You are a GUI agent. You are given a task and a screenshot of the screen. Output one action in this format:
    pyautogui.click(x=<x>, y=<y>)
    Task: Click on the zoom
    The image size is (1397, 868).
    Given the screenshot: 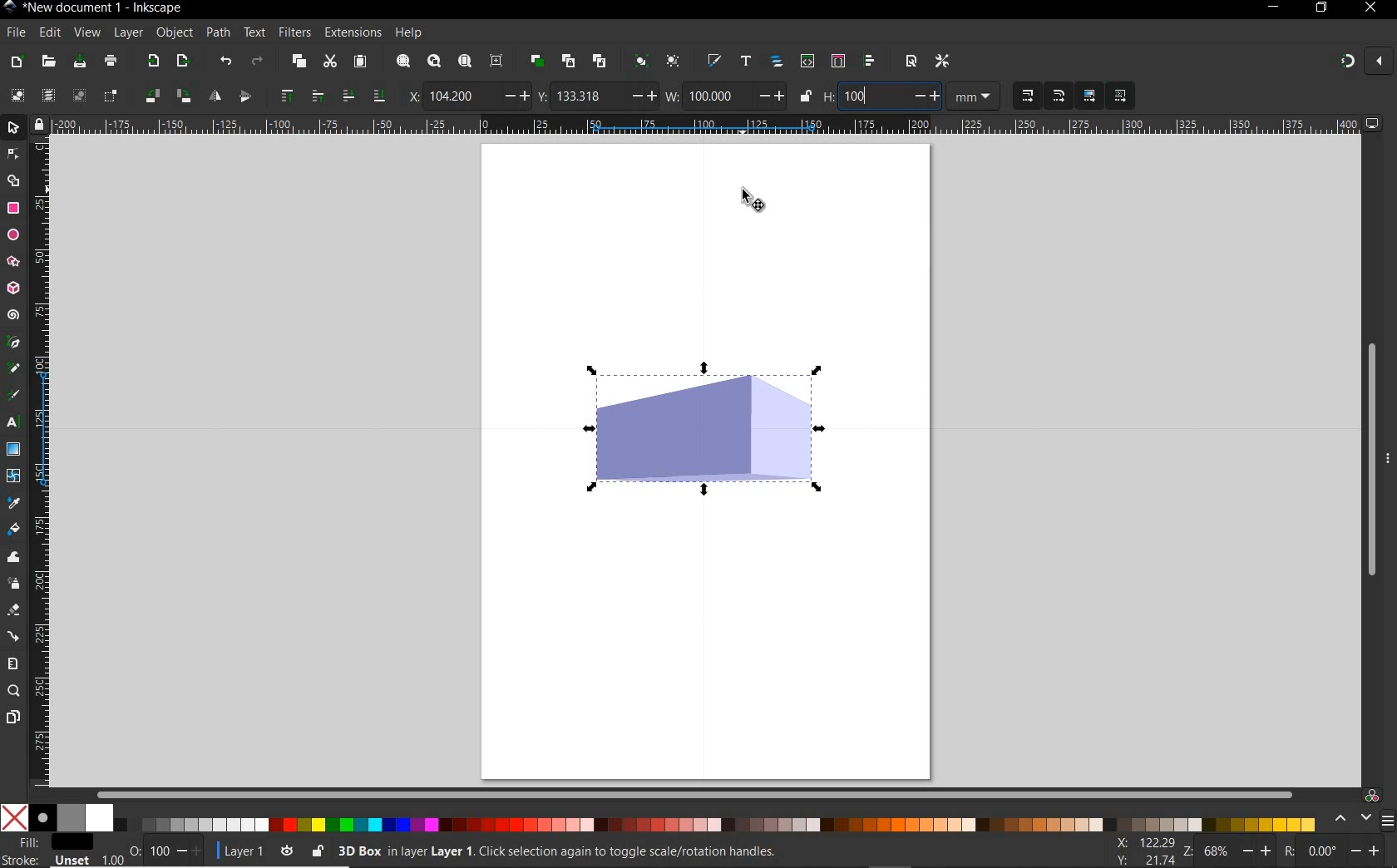 What is the action you would take?
    pyautogui.click(x=1187, y=852)
    